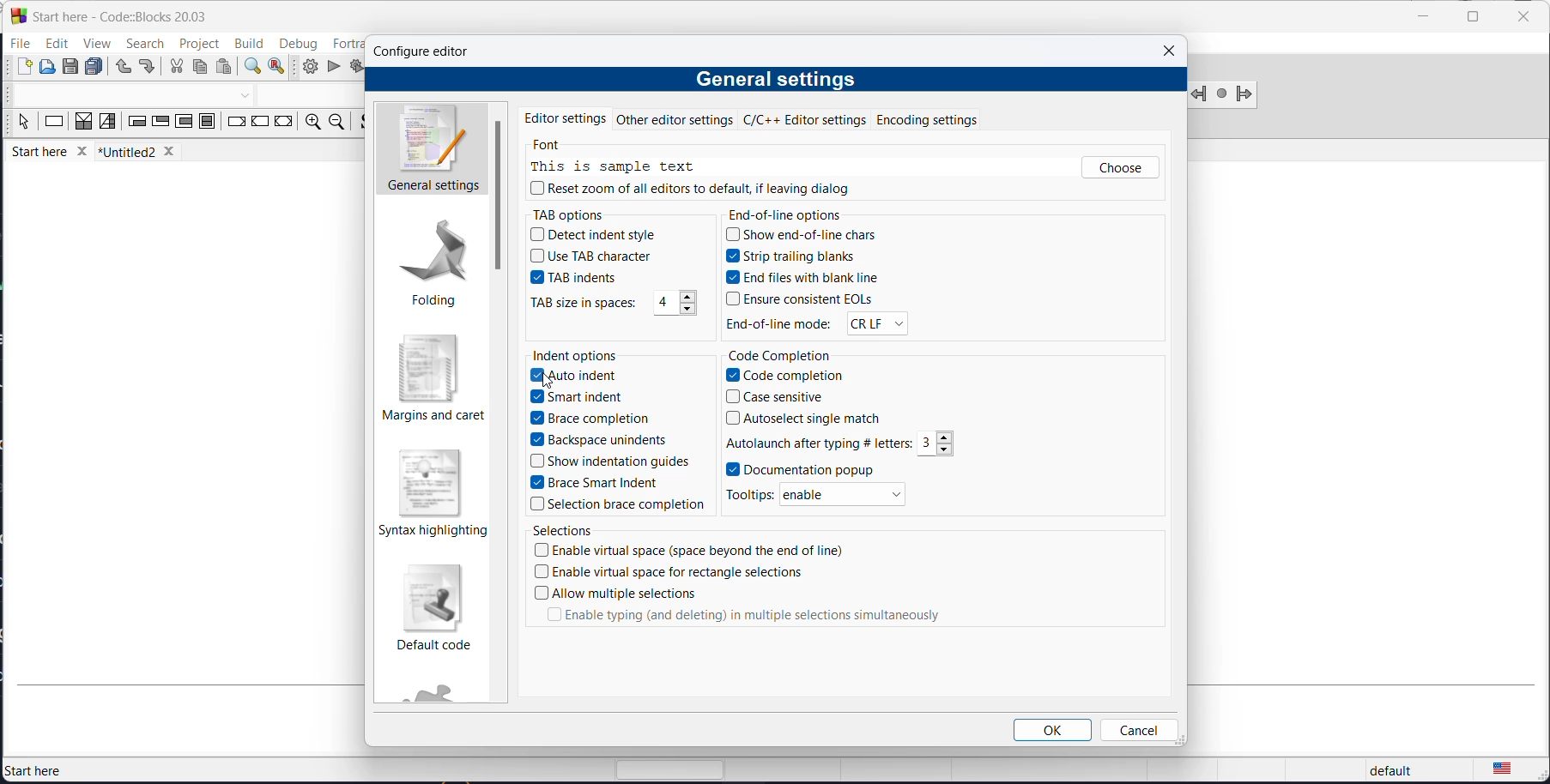  What do you see at coordinates (363, 123) in the screenshot?
I see `source comment` at bounding box center [363, 123].